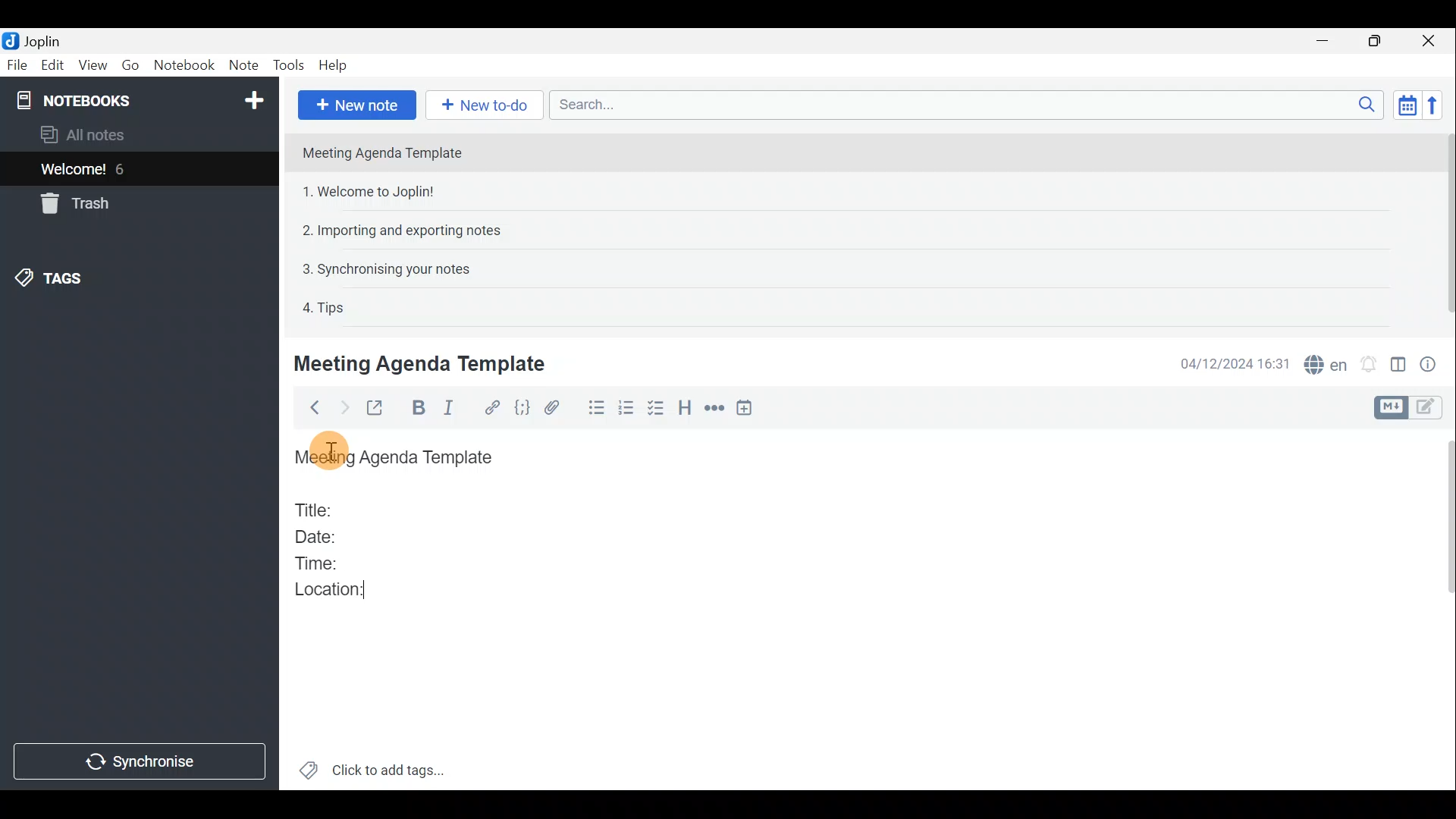 The height and width of the screenshot is (819, 1456). What do you see at coordinates (90, 67) in the screenshot?
I see `View` at bounding box center [90, 67].